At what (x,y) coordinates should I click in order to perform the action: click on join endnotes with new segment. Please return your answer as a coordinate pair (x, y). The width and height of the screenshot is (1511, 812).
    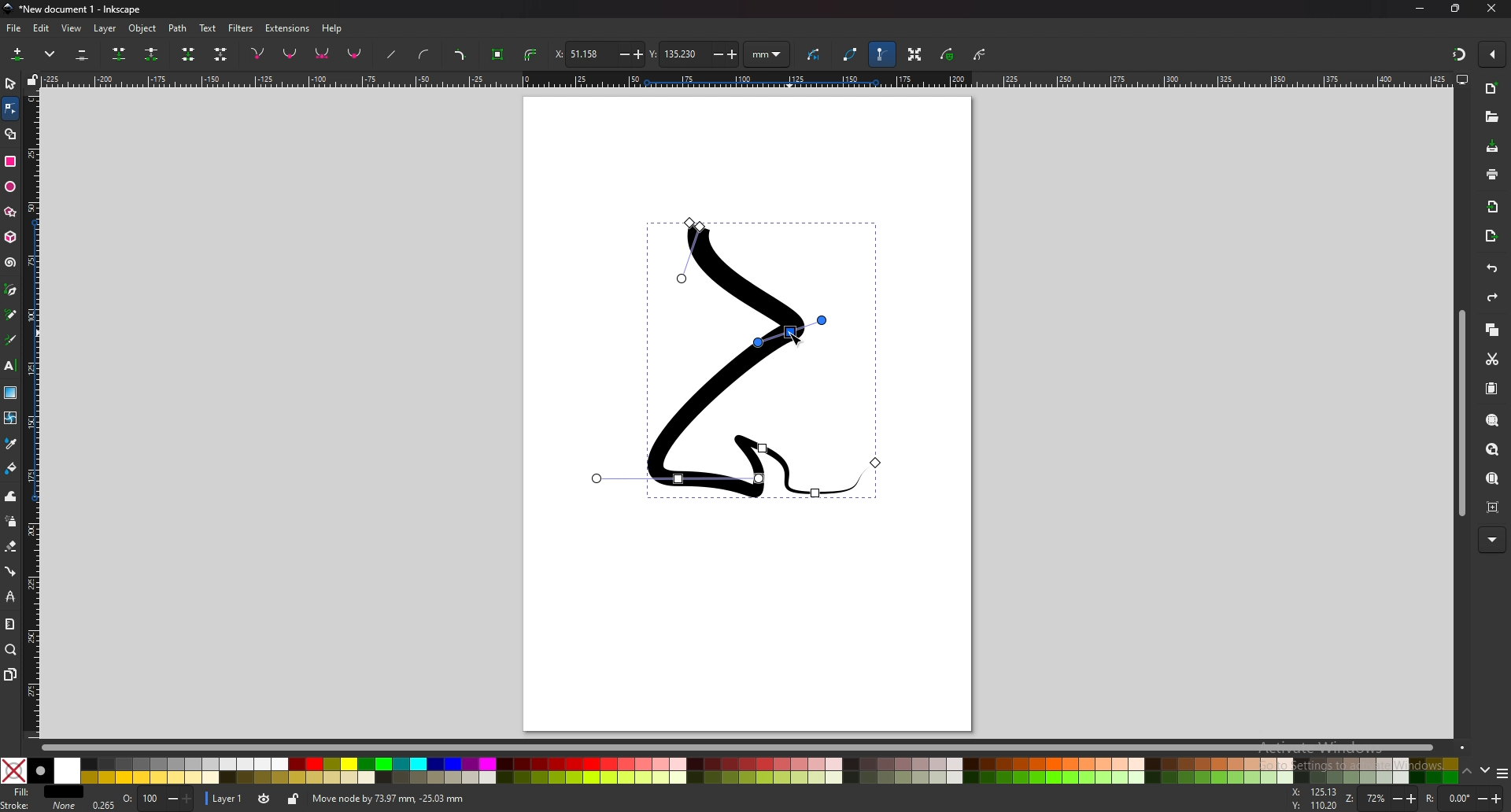
    Looking at the image, I should click on (187, 56).